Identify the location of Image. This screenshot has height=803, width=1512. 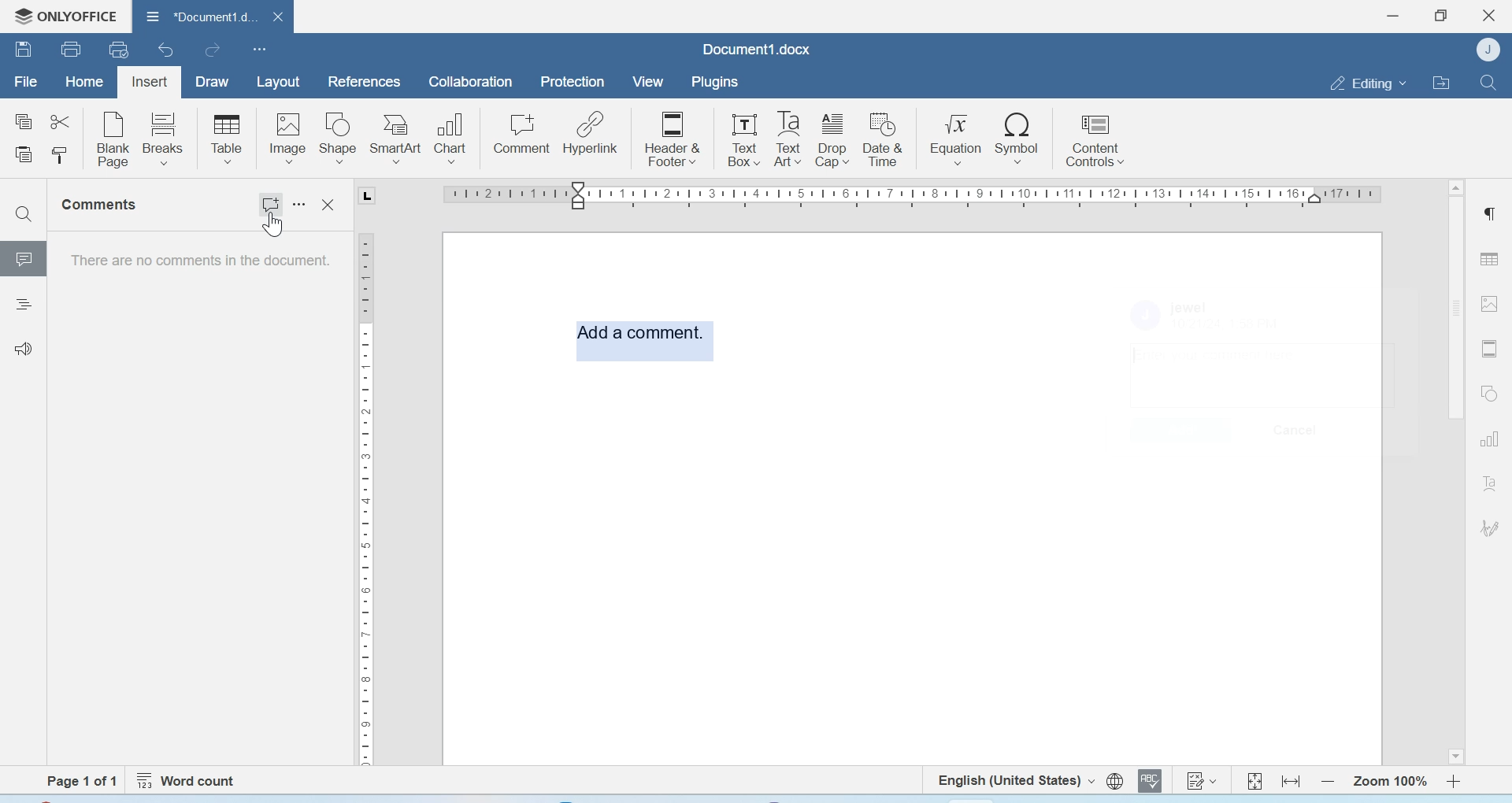
(1490, 302).